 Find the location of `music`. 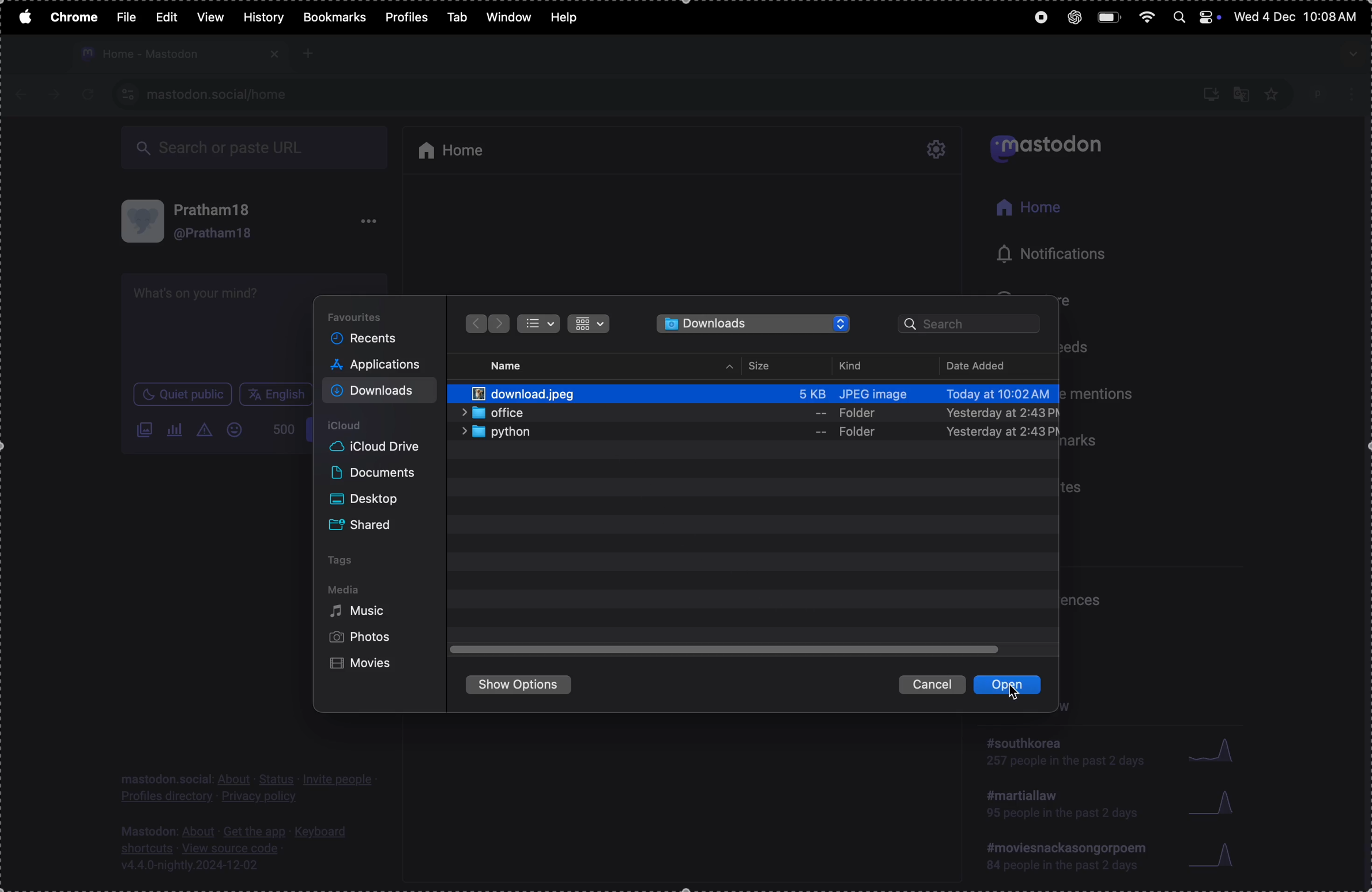

music is located at coordinates (364, 614).